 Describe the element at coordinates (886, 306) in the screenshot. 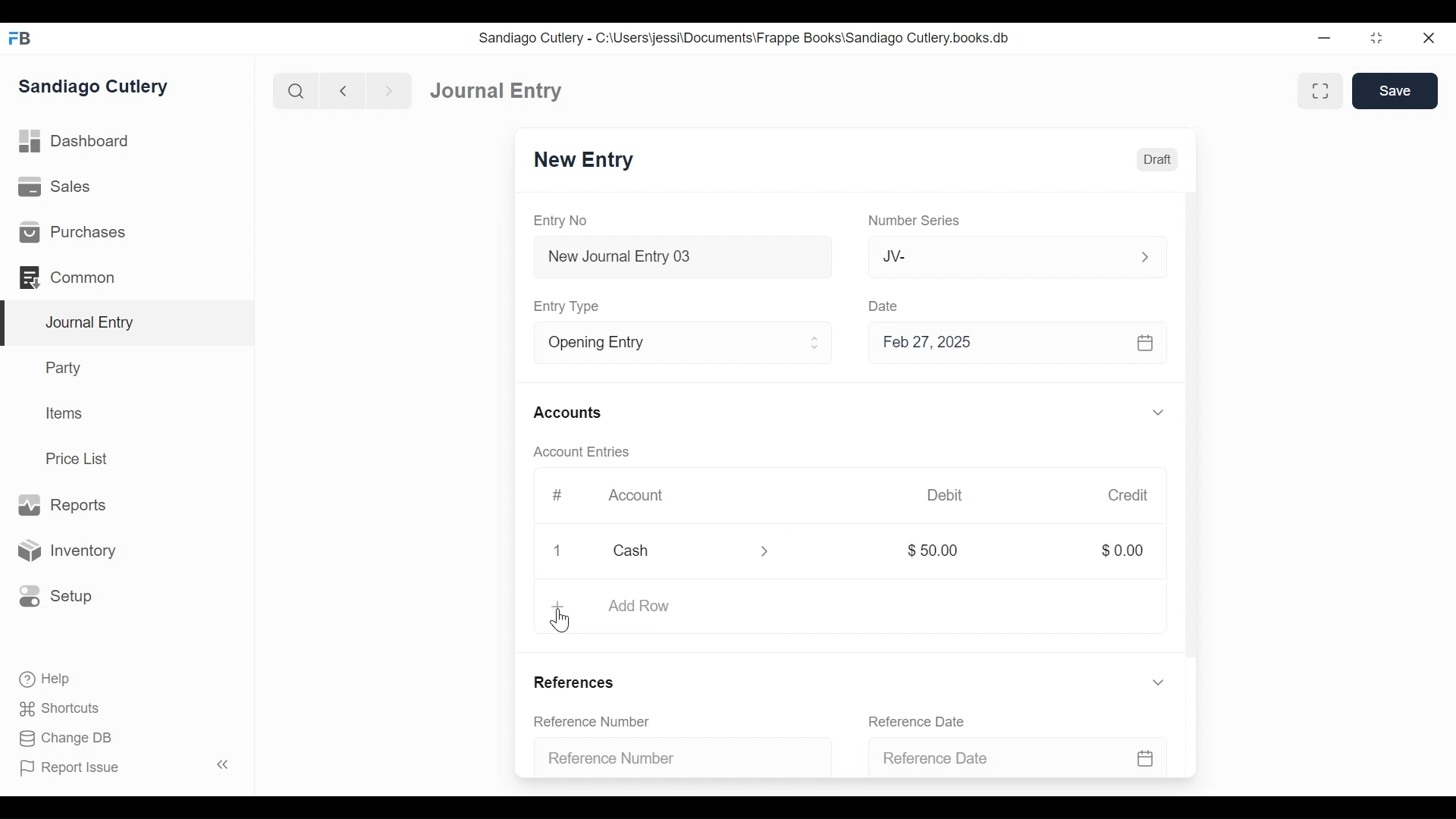

I see `Date` at that location.